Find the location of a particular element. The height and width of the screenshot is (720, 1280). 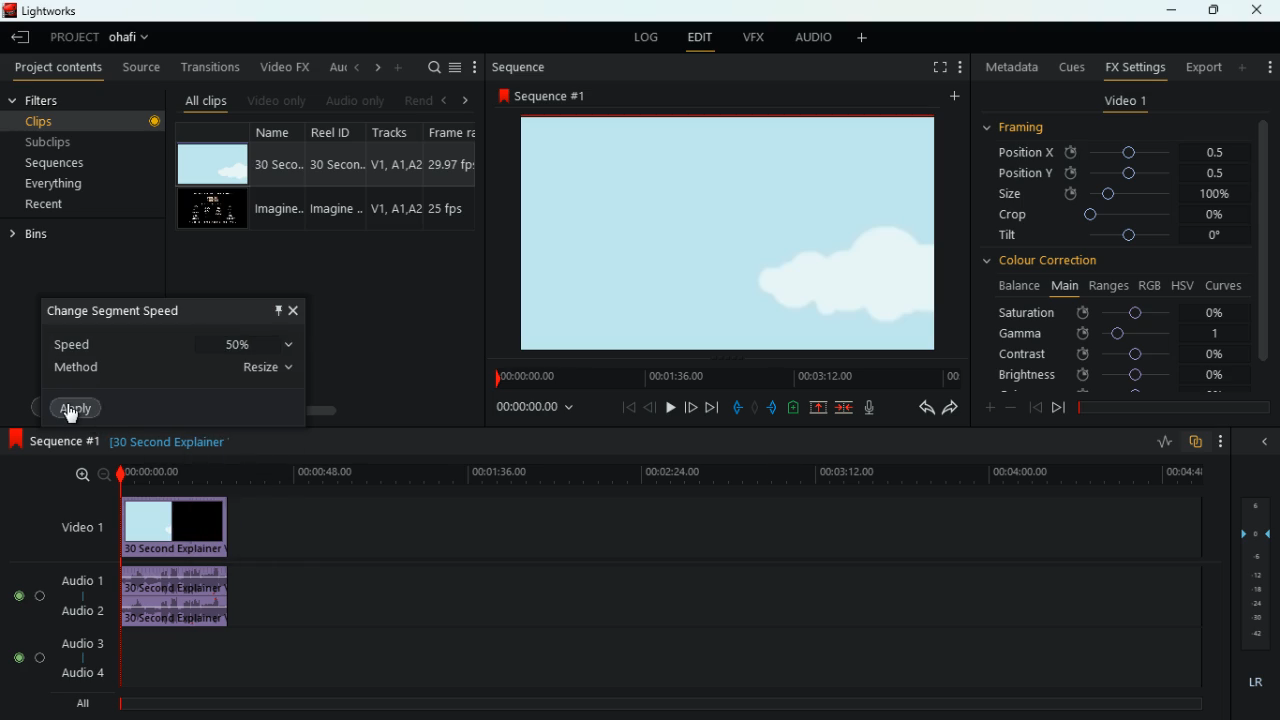

log is located at coordinates (643, 35).